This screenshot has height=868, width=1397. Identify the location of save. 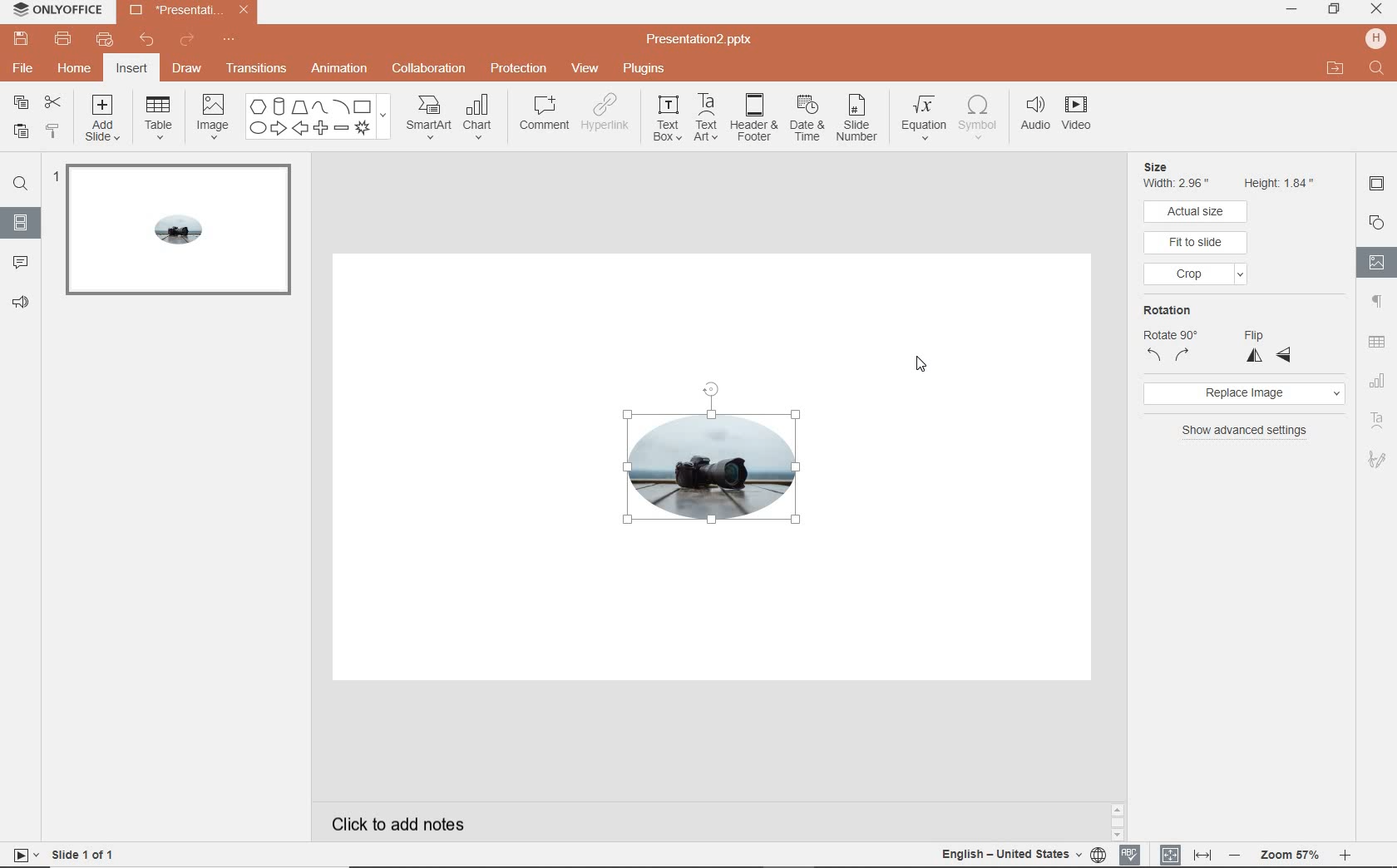
(22, 39).